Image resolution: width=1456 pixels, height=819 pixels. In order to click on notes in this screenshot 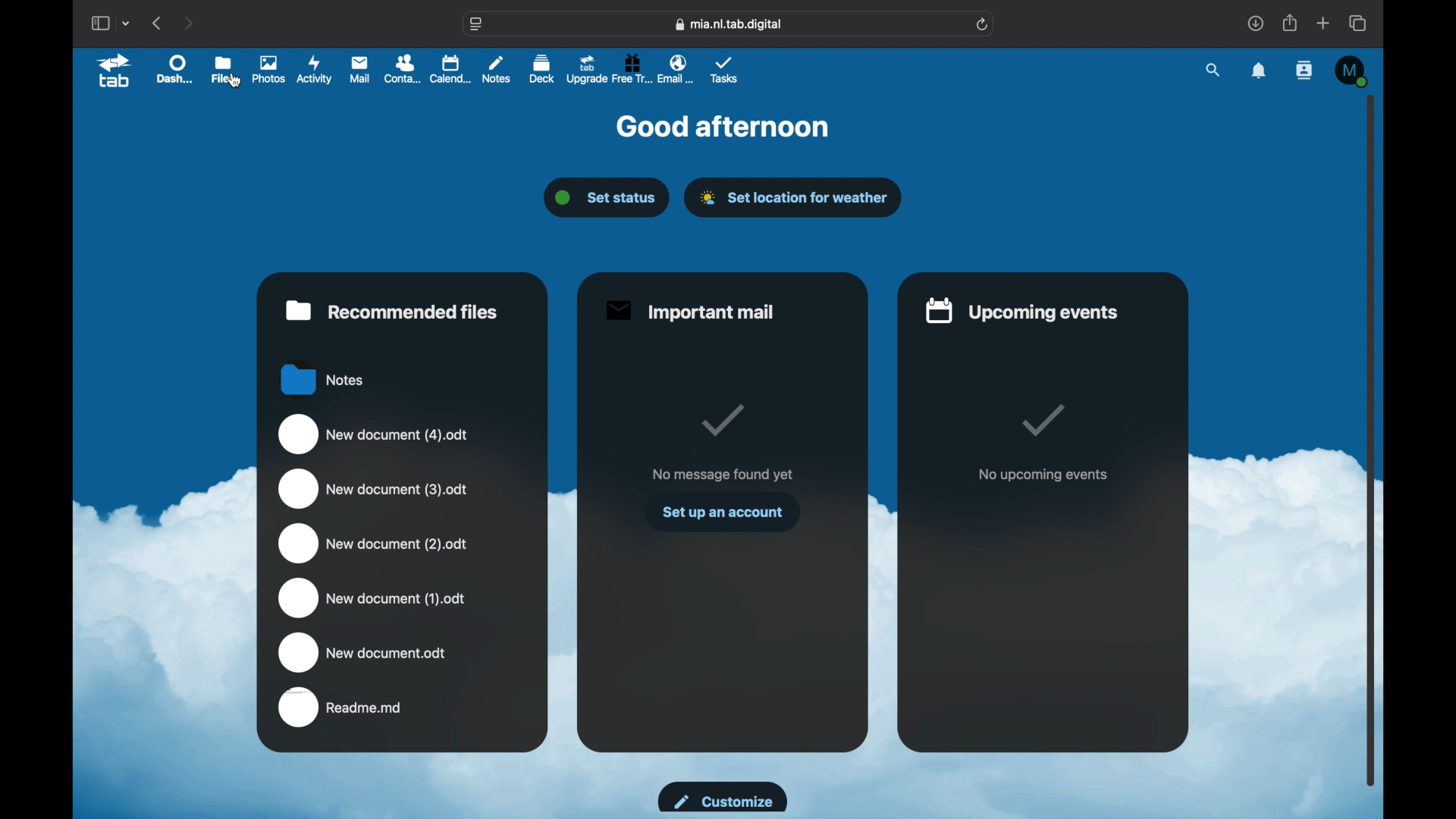, I will do `click(496, 69)`.